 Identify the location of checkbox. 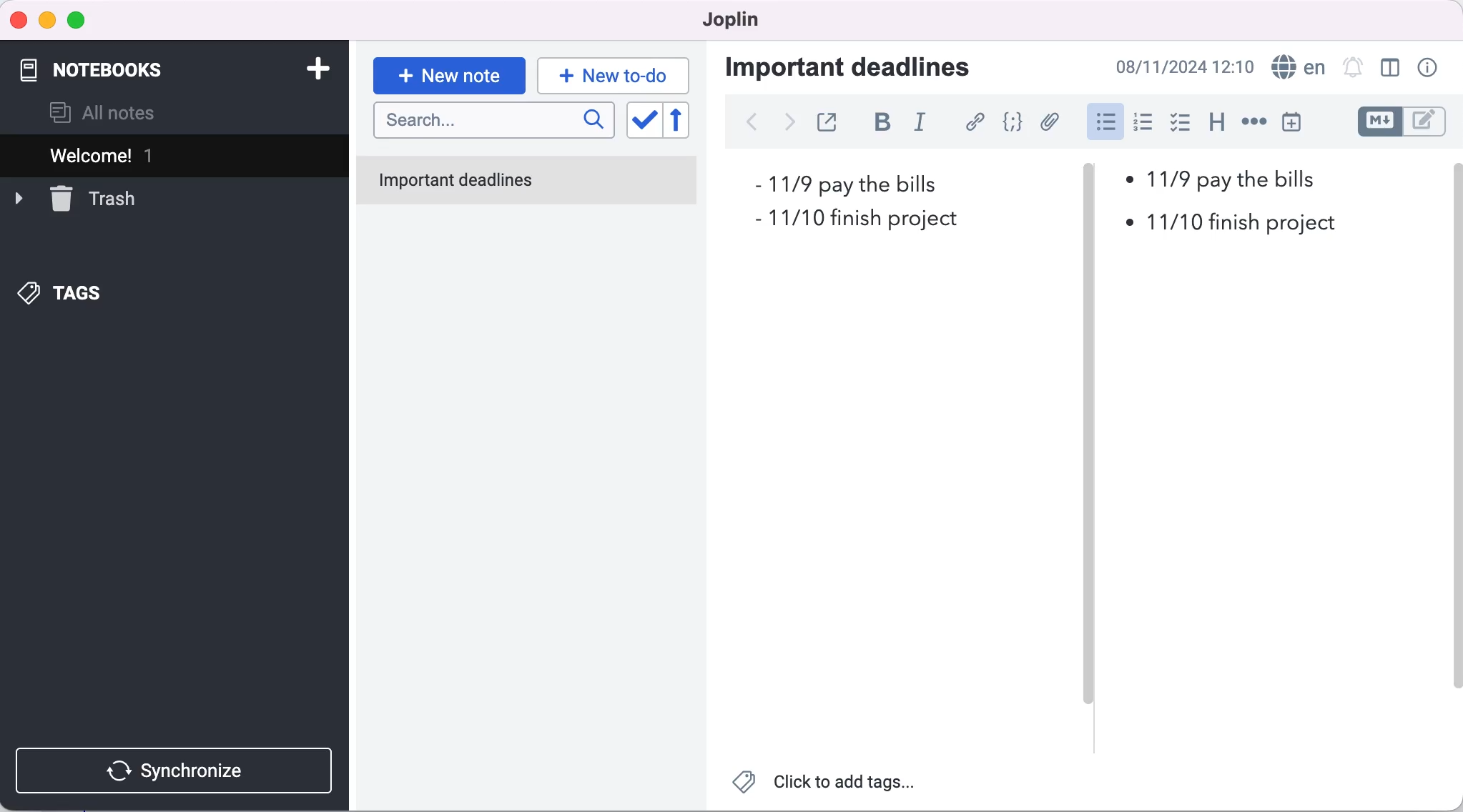
(1181, 124).